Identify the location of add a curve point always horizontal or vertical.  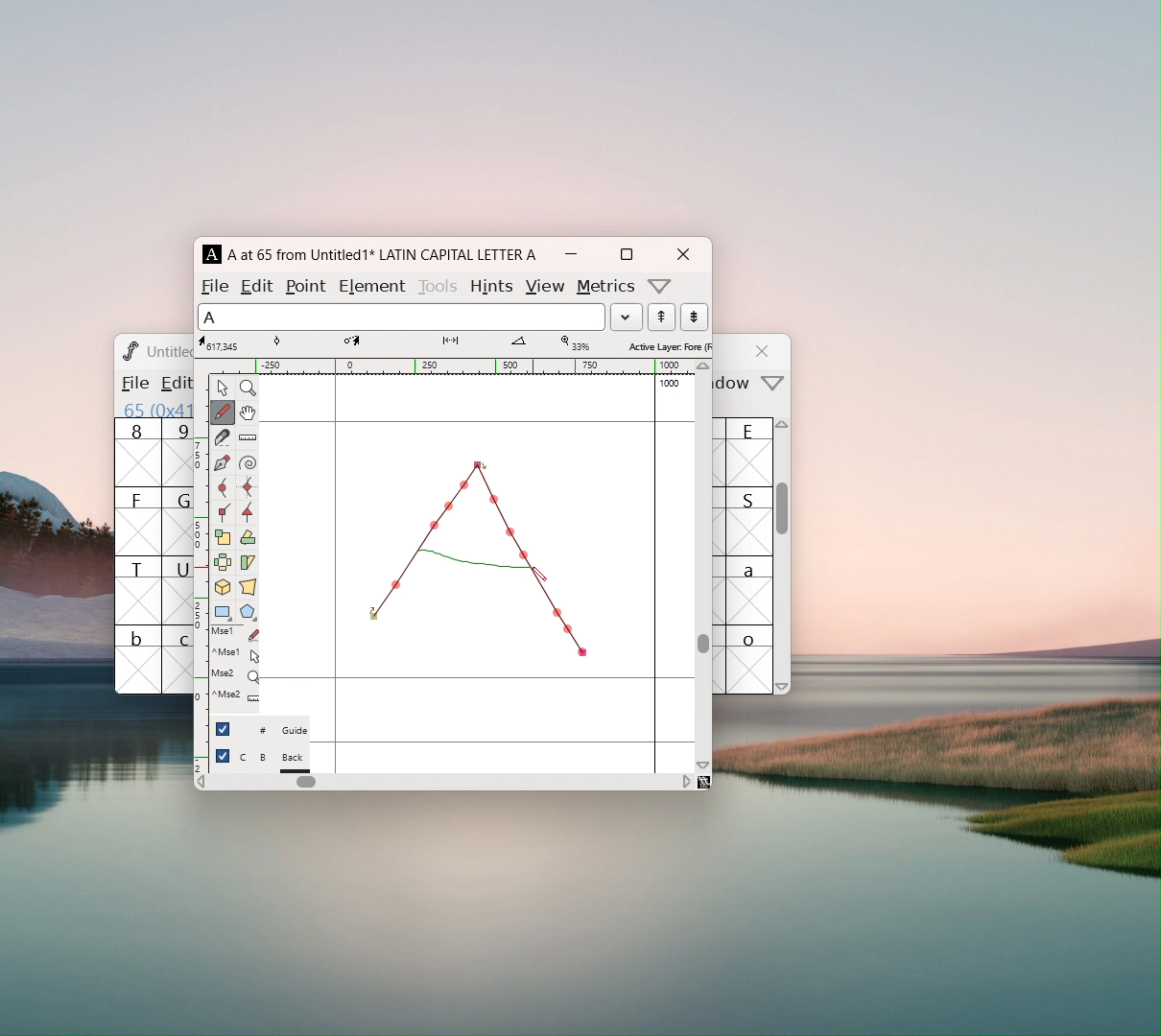
(248, 487).